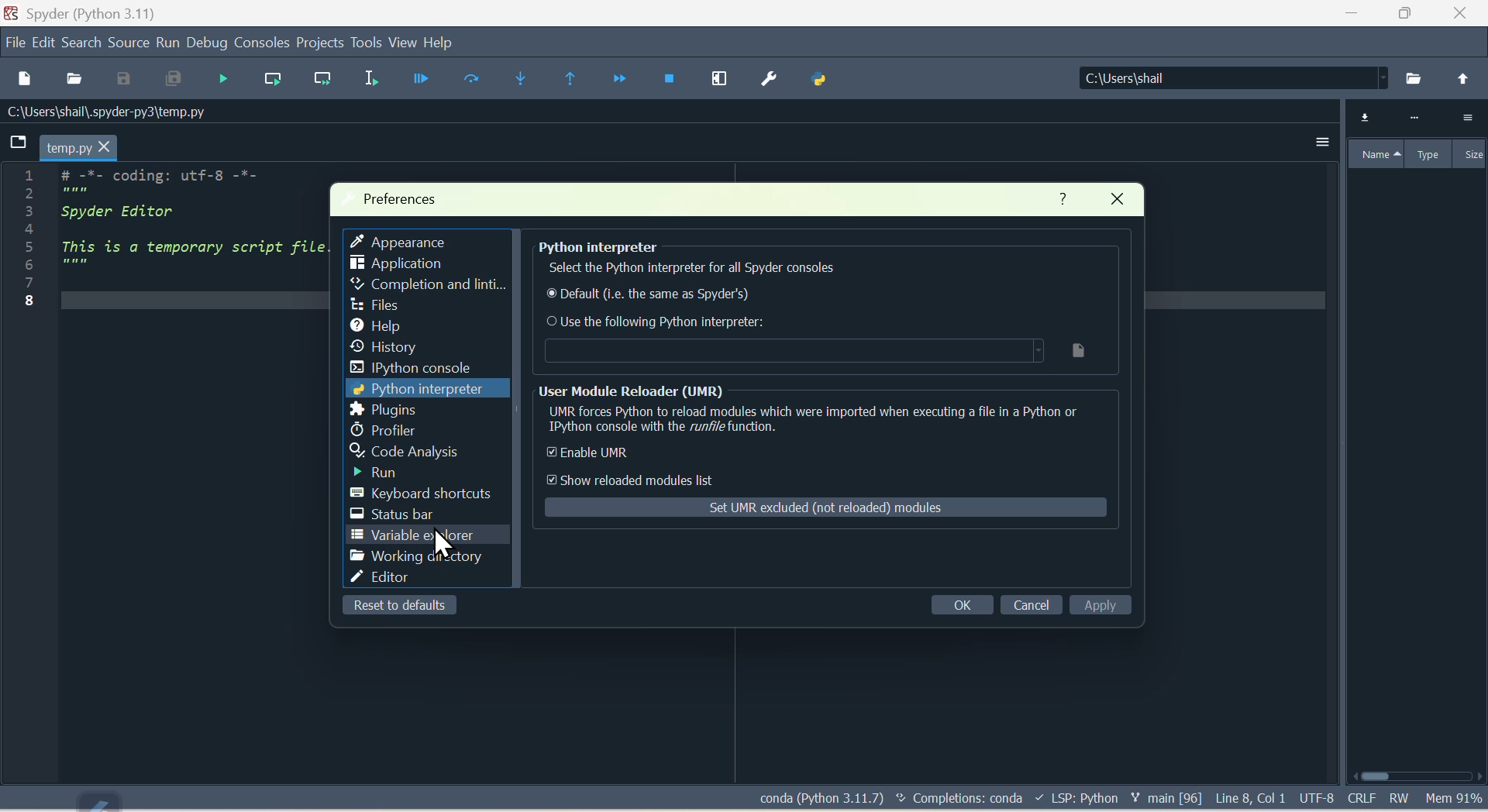  What do you see at coordinates (67, 147) in the screenshot?
I see `temp.py` at bounding box center [67, 147].